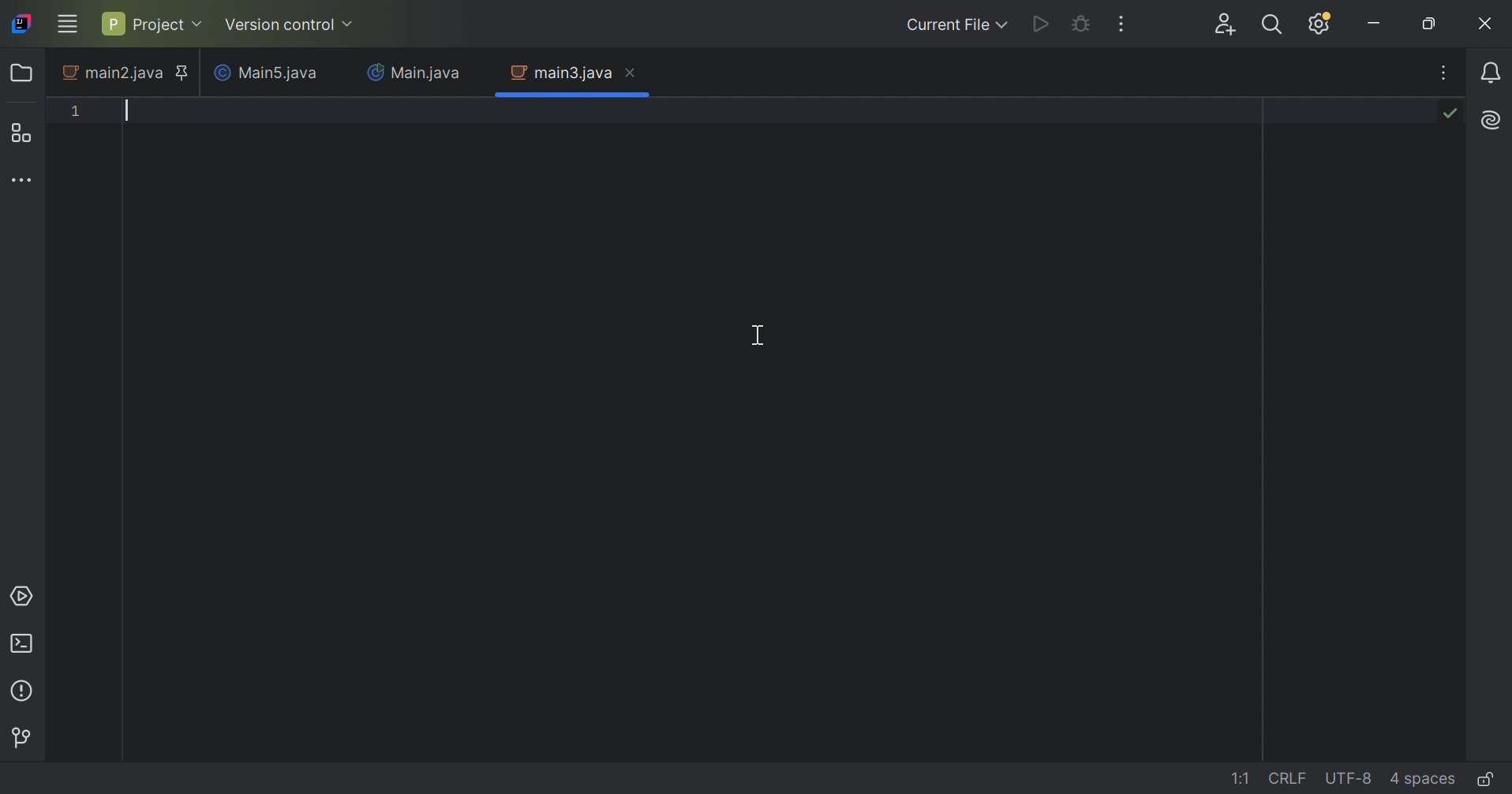 Image resolution: width=1512 pixels, height=794 pixels. I want to click on main3.java, so click(560, 73).